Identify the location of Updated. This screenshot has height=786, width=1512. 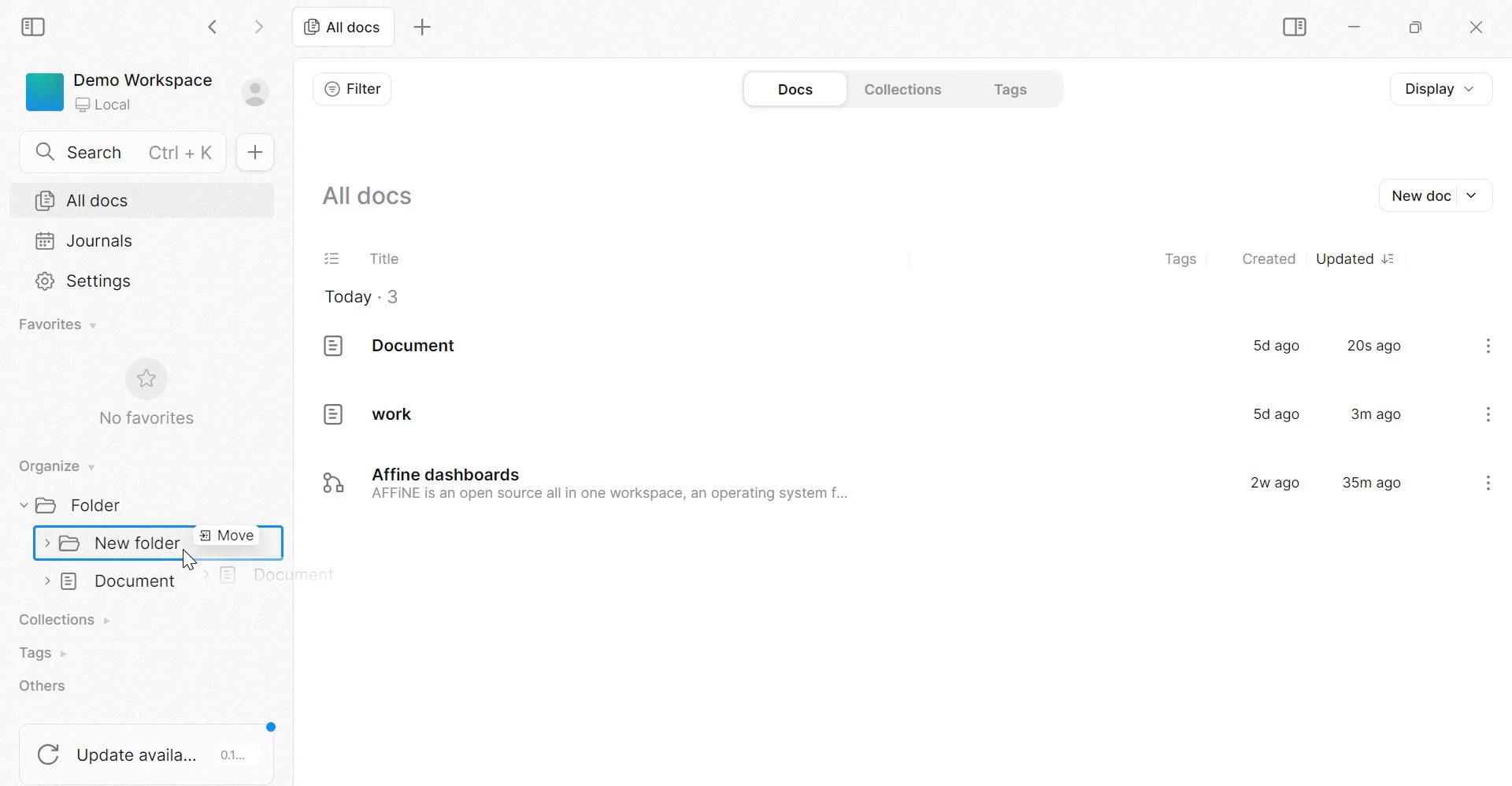
(1354, 255).